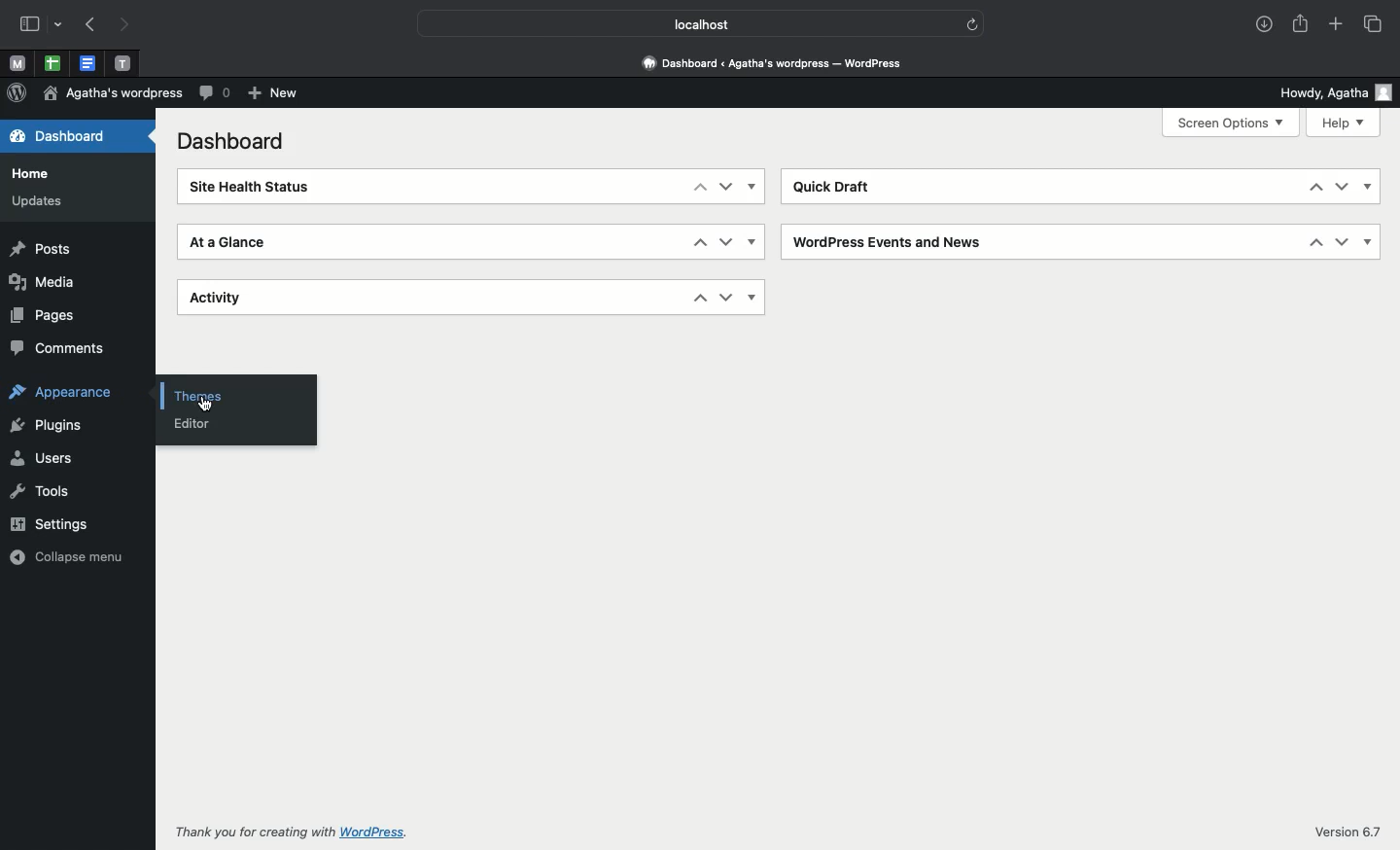 The width and height of the screenshot is (1400, 850). Describe the element at coordinates (1302, 23) in the screenshot. I see `Share` at that location.